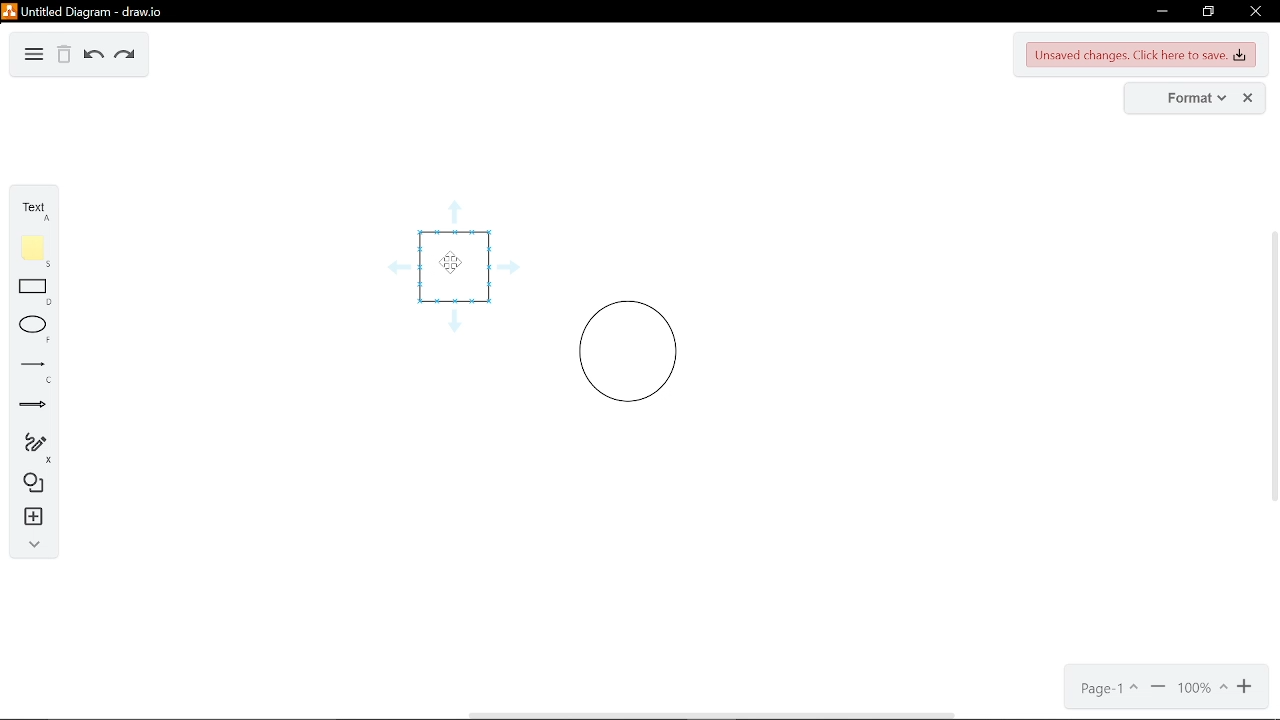 This screenshot has width=1280, height=720. Describe the element at coordinates (91, 56) in the screenshot. I see `undo` at that location.